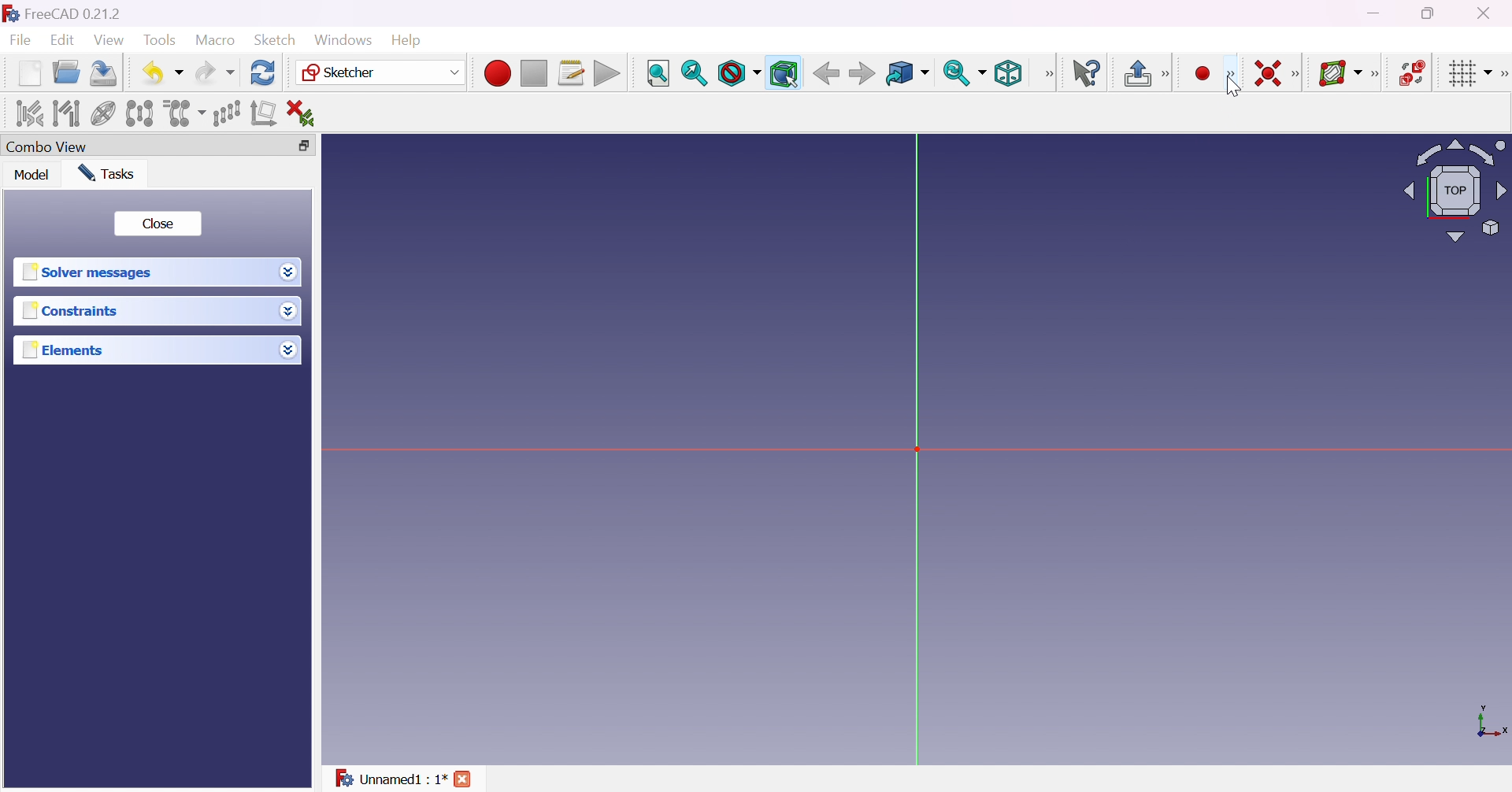 Image resolution: width=1512 pixels, height=792 pixels. I want to click on Minimize, so click(1377, 13).